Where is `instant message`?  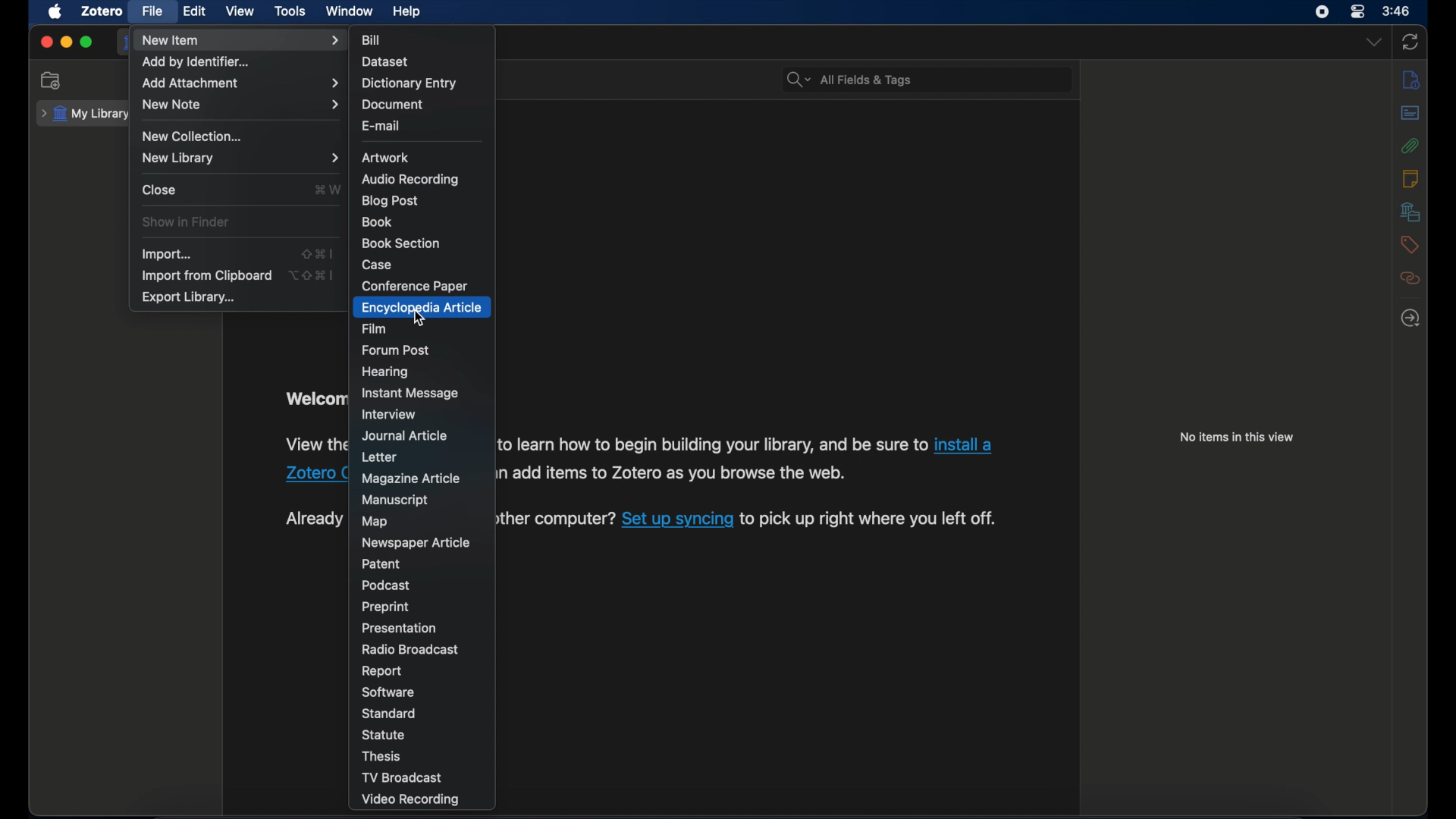 instant message is located at coordinates (409, 393).